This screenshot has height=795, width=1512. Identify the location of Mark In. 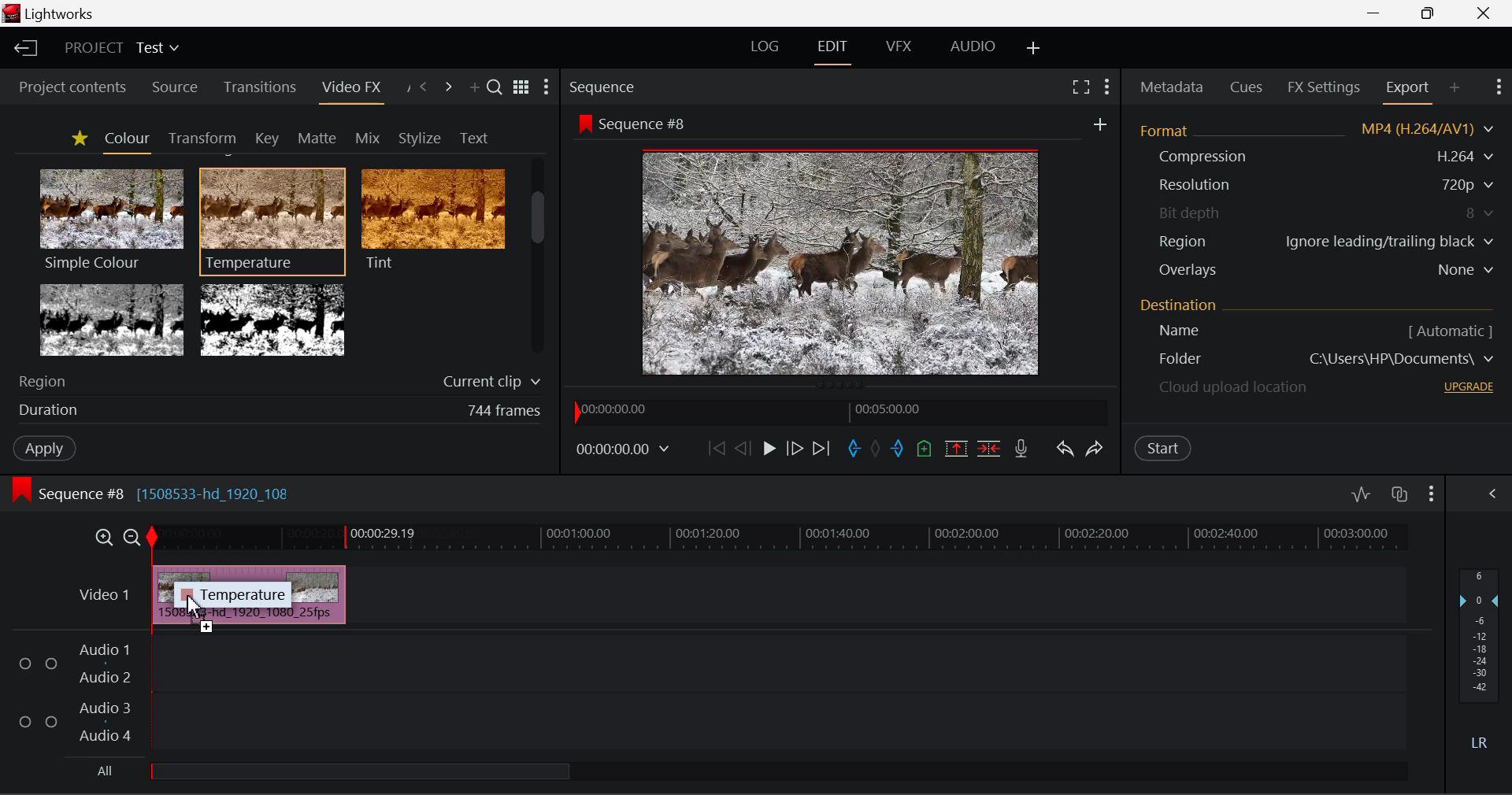
(852, 449).